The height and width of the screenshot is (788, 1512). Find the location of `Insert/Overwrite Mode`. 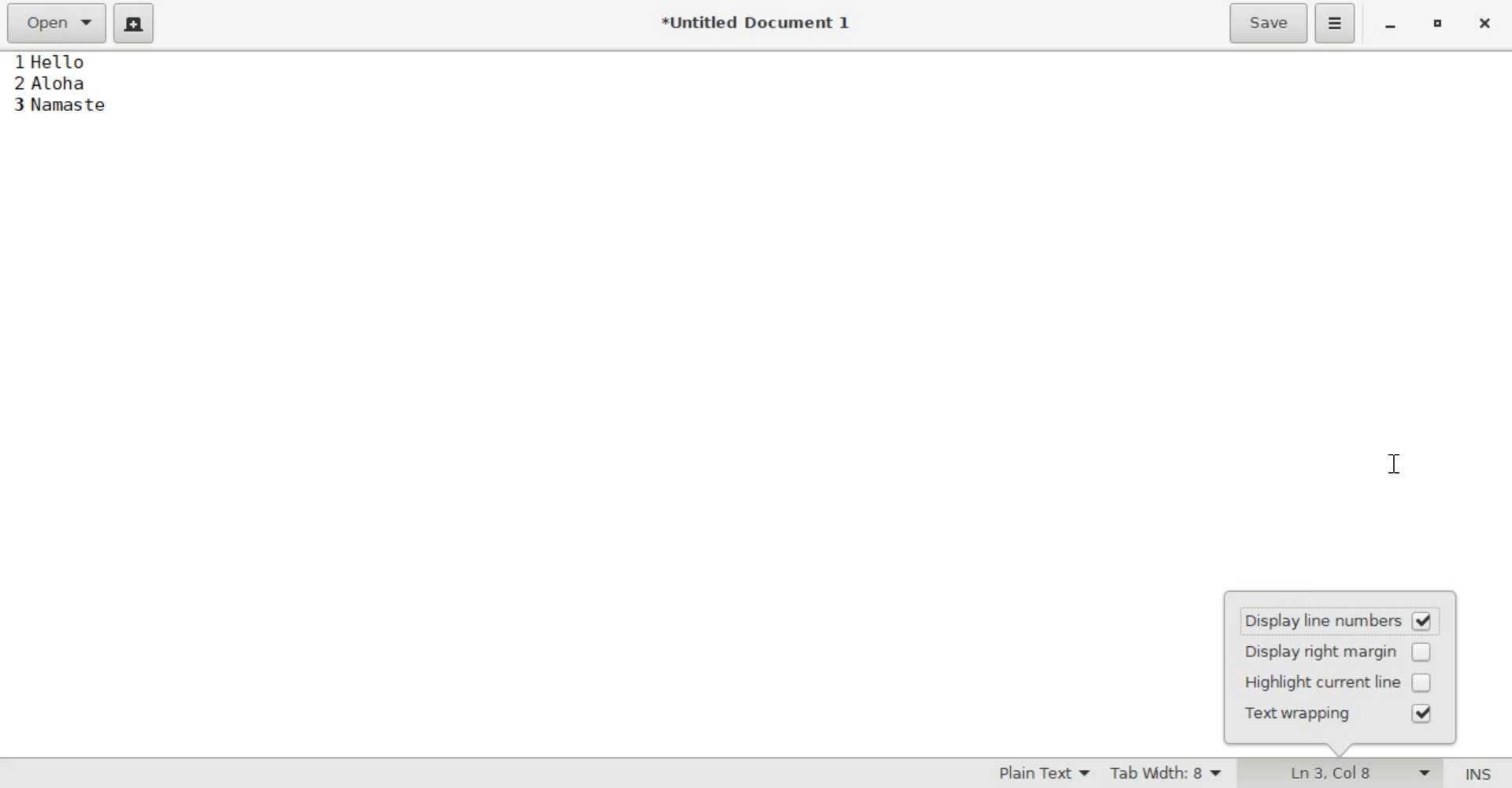

Insert/Overwrite Mode is located at coordinates (1478, 772).